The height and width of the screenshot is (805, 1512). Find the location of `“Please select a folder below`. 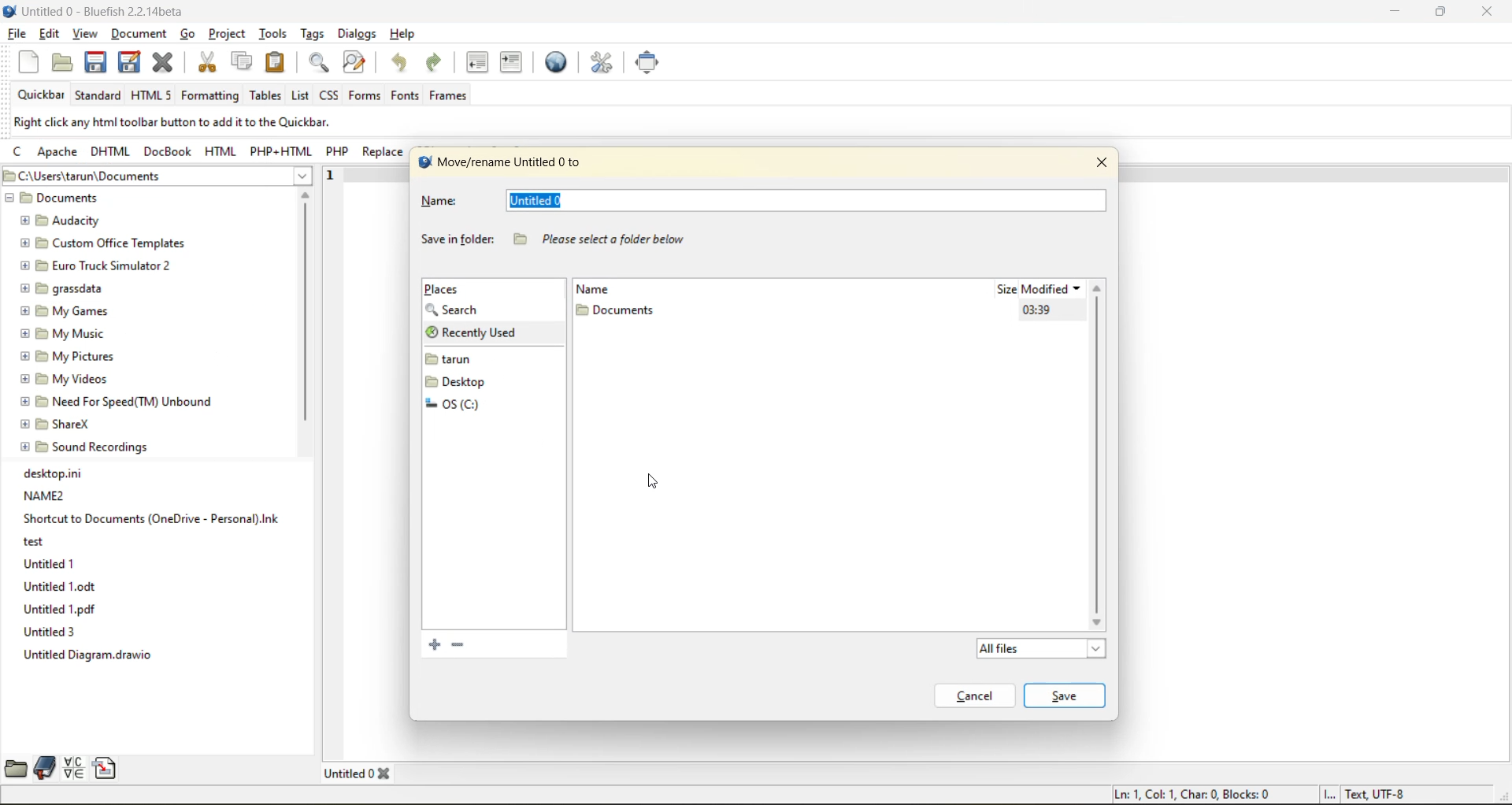

“Please select a folder below is located at coordinates (599, 235).